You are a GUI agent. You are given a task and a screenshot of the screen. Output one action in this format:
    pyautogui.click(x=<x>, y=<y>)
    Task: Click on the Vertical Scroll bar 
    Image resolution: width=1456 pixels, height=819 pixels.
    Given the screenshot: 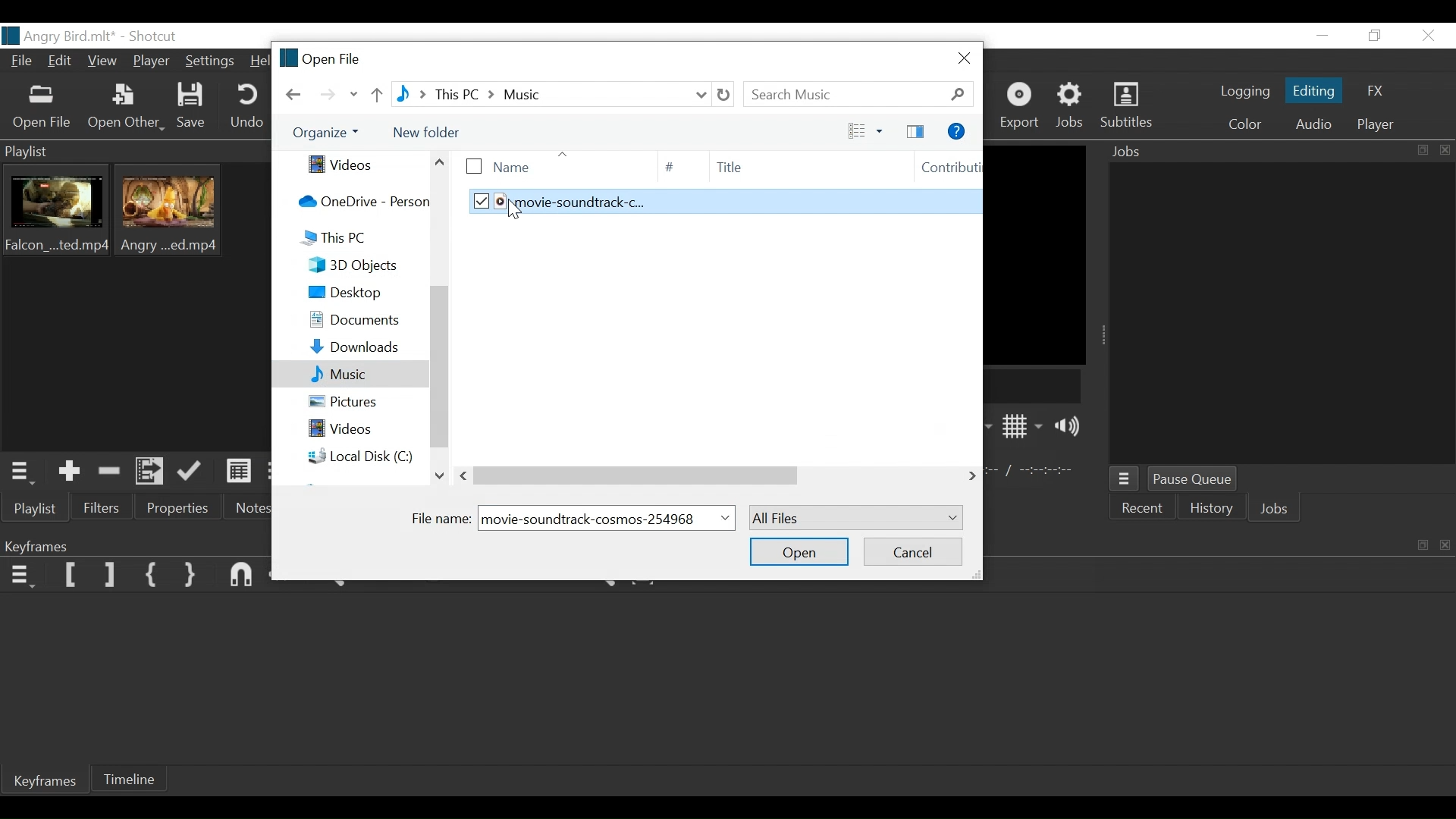 What is the action you would take?
    pyautogui.click(x=438, y=366)
    